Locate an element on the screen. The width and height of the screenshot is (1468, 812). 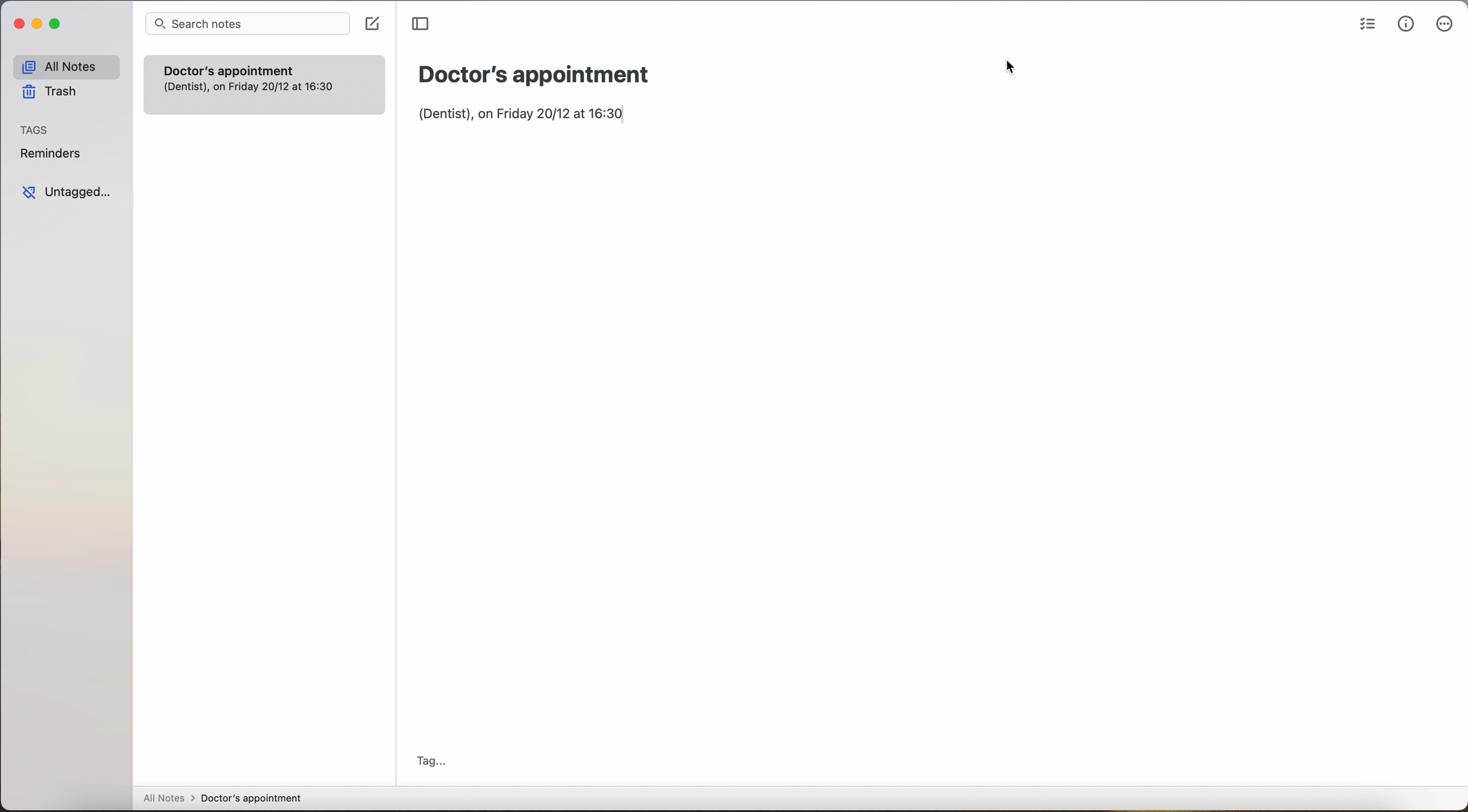
Untagged... is located at coordinates (71, 193).